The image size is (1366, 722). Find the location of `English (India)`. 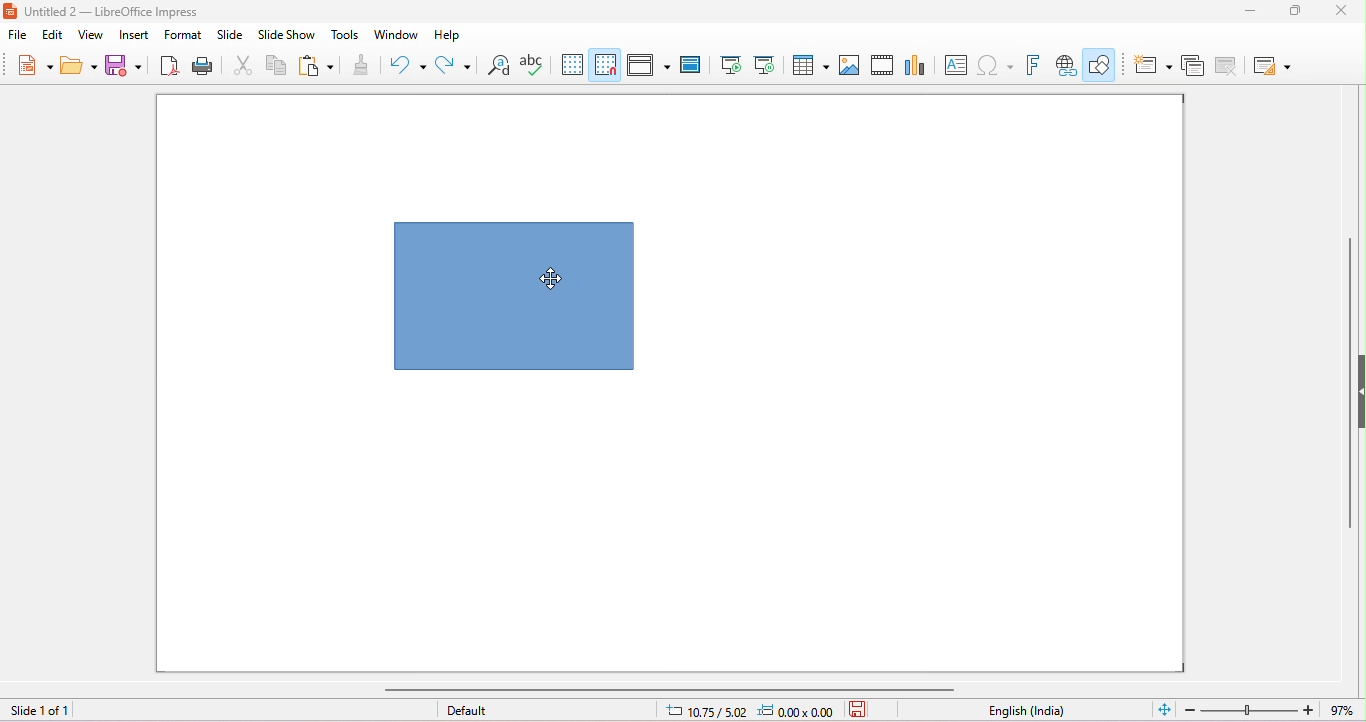

English (India) is located at coordinates (1027, 711).